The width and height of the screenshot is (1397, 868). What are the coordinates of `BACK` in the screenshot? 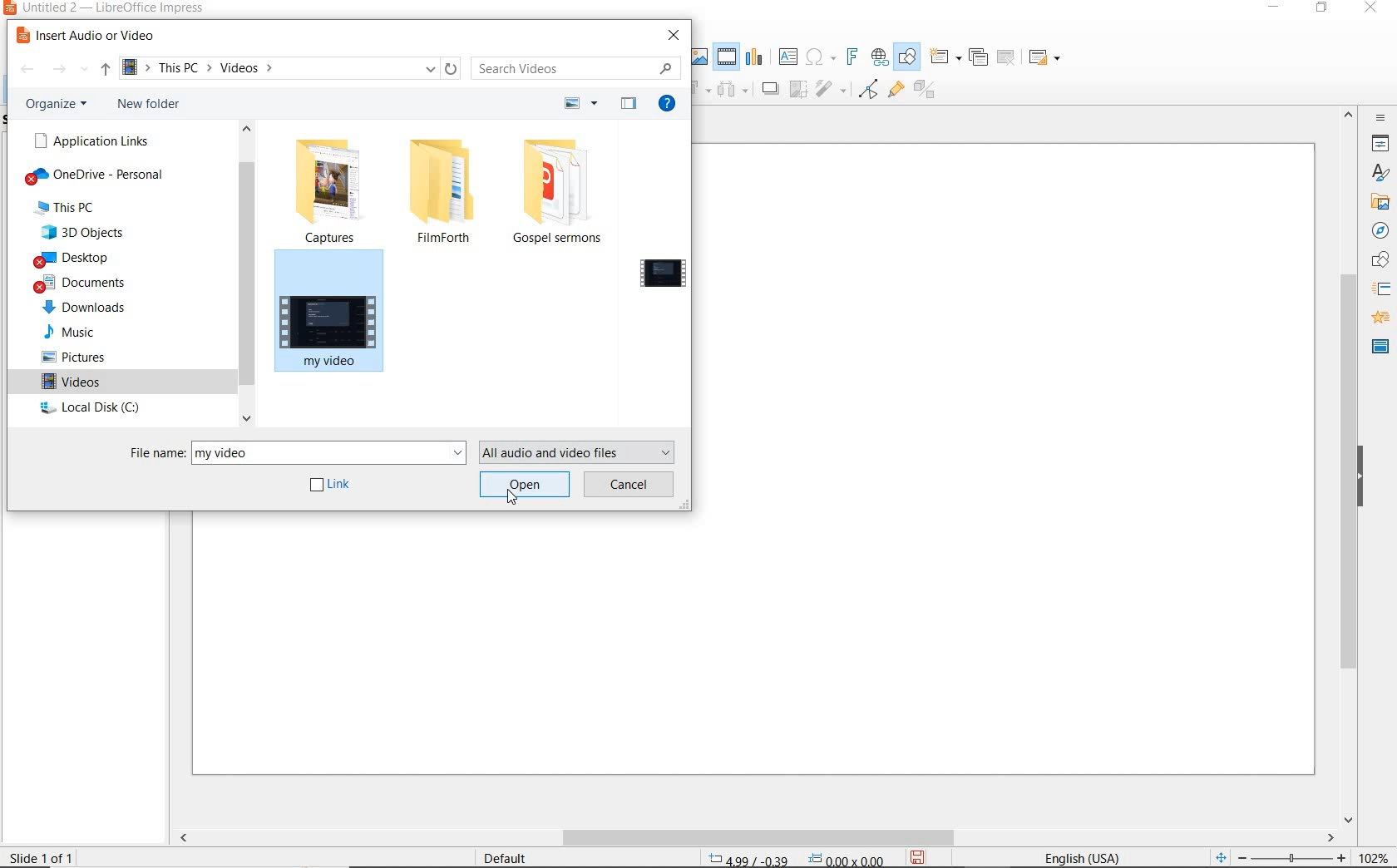 It's located at (27, 70).